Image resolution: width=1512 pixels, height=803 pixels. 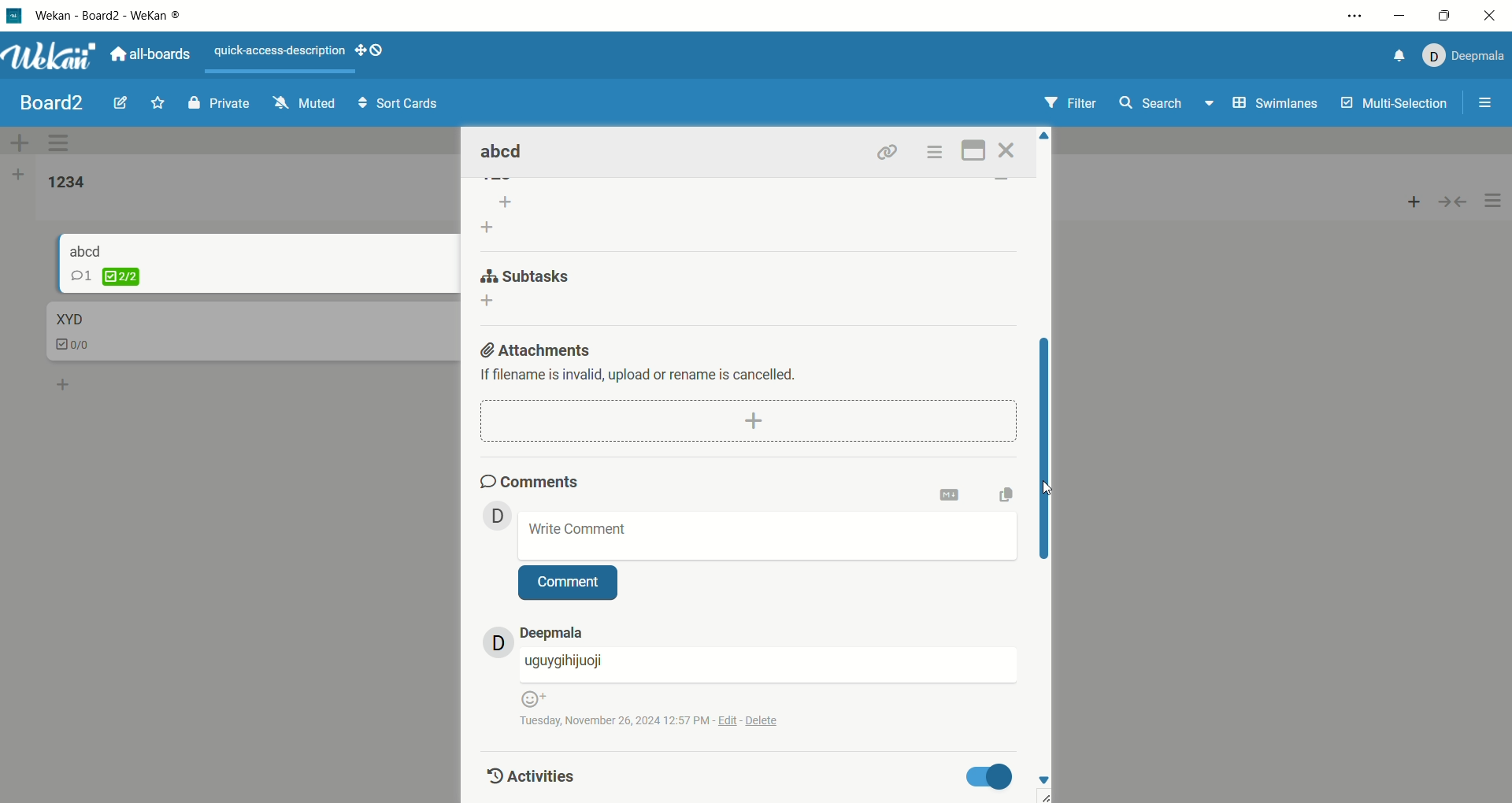 I want to click on comments, so click(x=532, y=479).